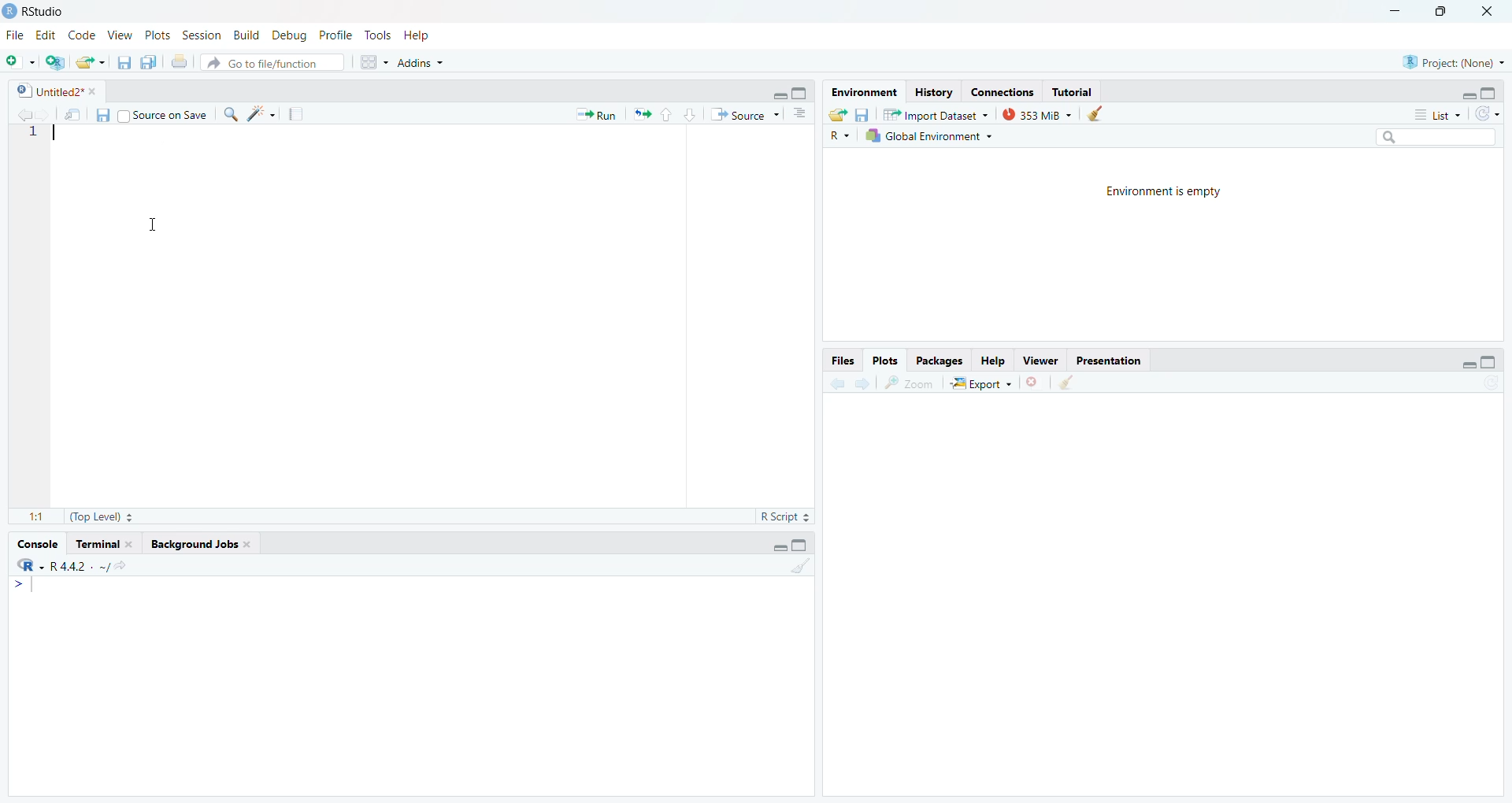  Describe the element at coordinates (1168, 194) in the screenshot. I see `Environment is empty` at that location.